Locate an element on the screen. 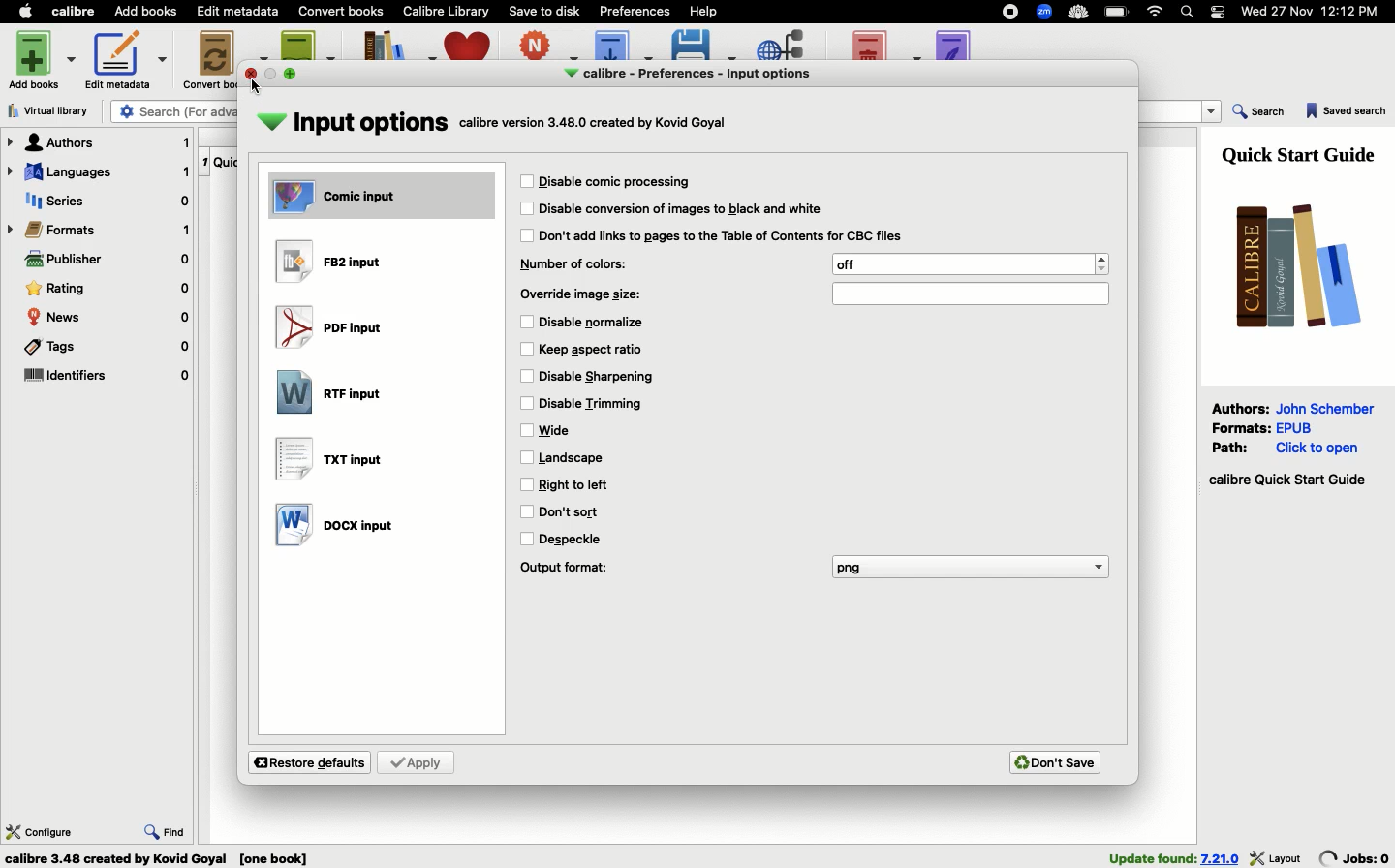 Image resolution: width=1395 pixels, height=868 pixels. Saved search is located at coordinates (1347, 112).